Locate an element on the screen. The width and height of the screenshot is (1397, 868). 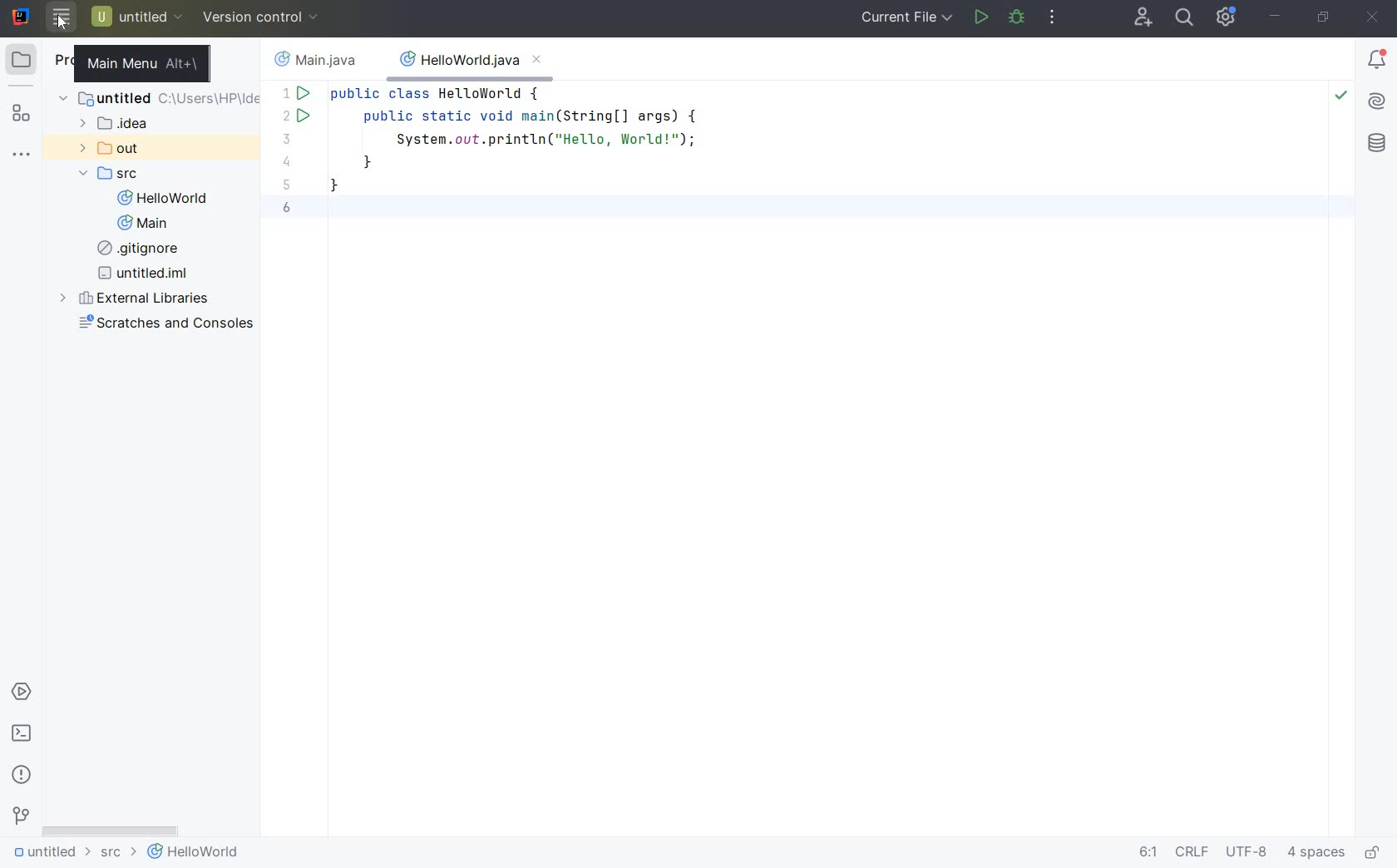
minimize is located at coordinates (1277, 17).